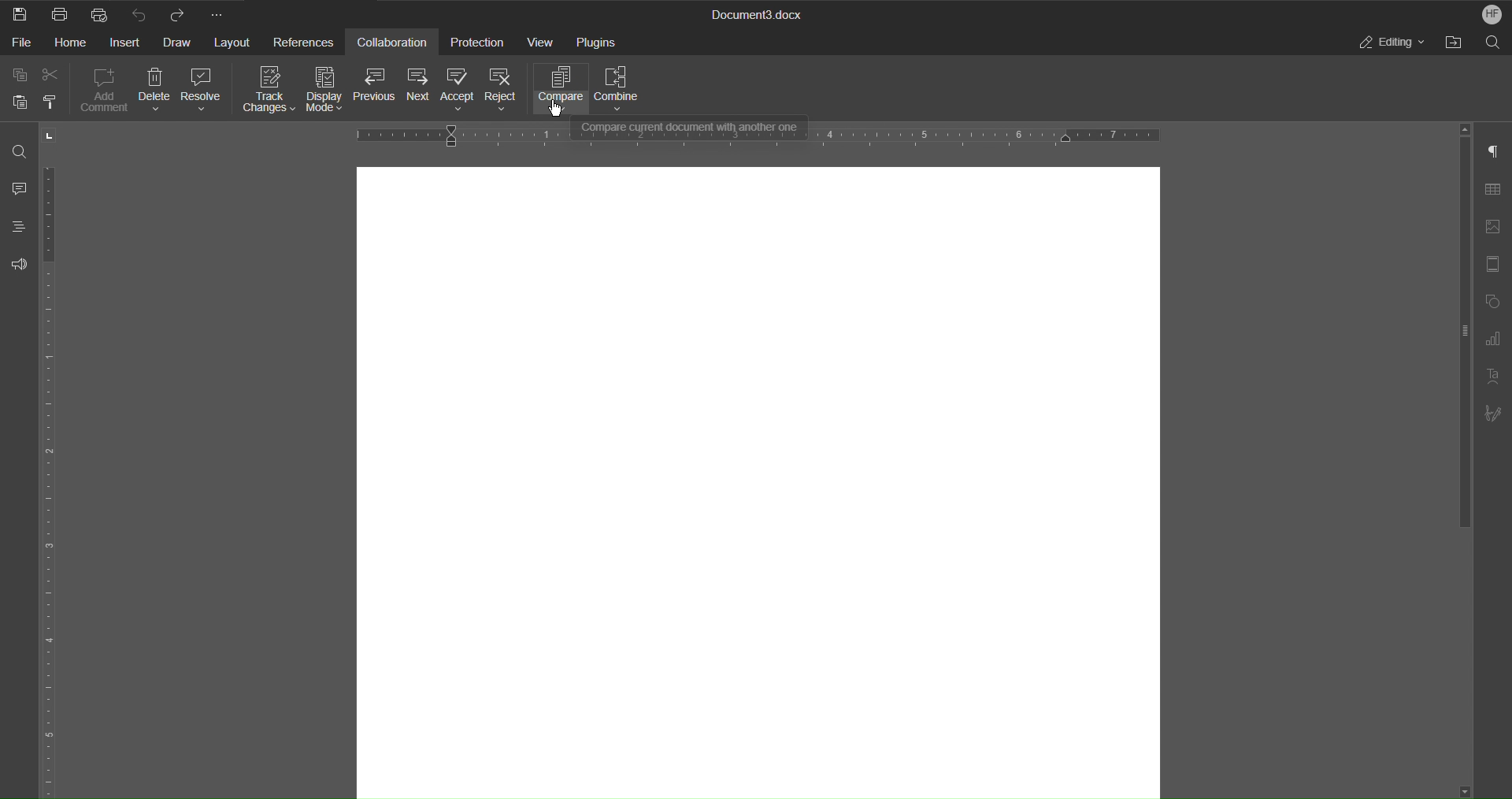 The width and height of the screenshot is (1512, 799). I want to click on Track Changes, so click(268, 89).